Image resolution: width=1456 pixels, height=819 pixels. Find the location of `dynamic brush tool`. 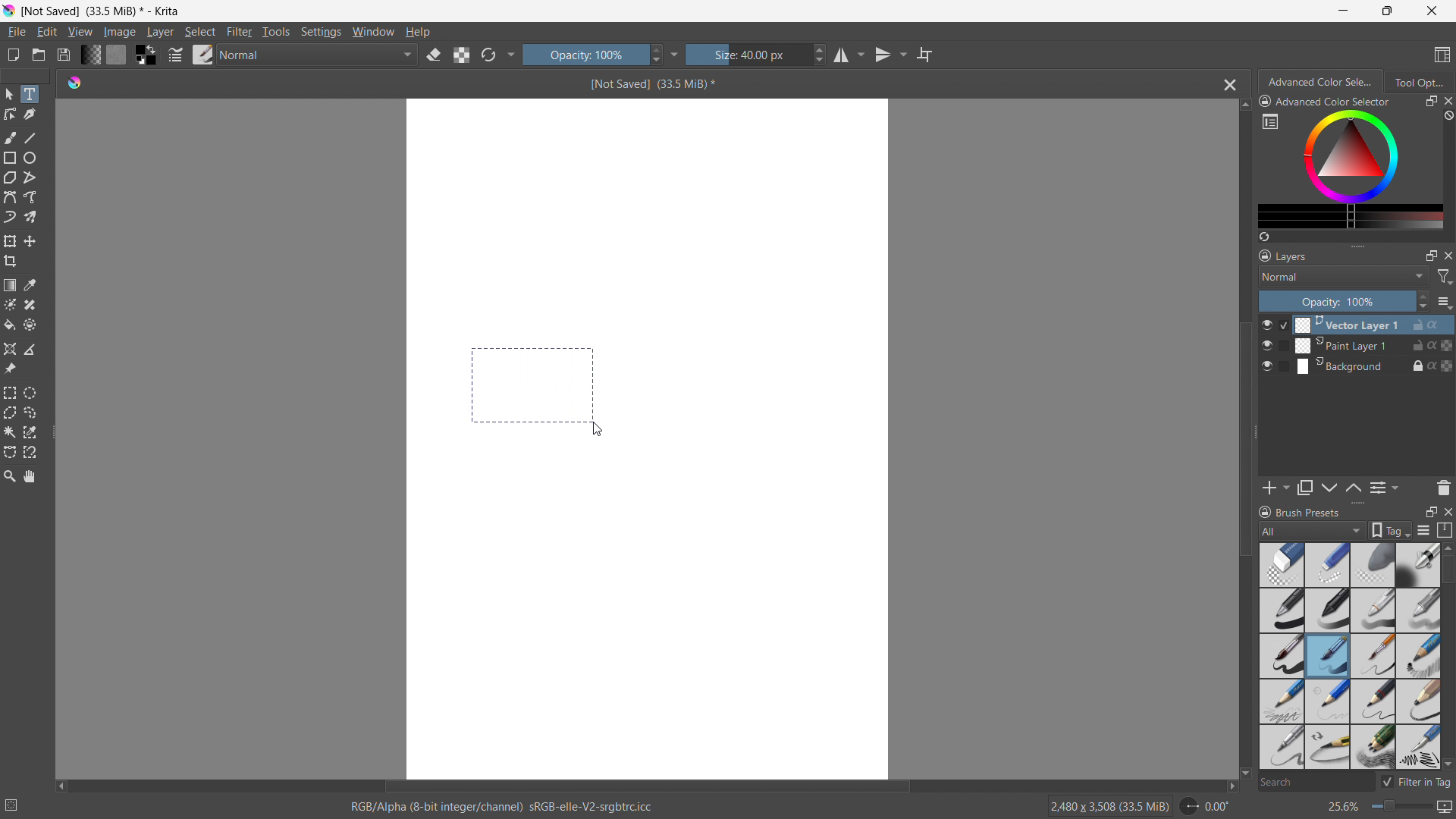

dynamic brush tool is located at coordinates (10, 218).